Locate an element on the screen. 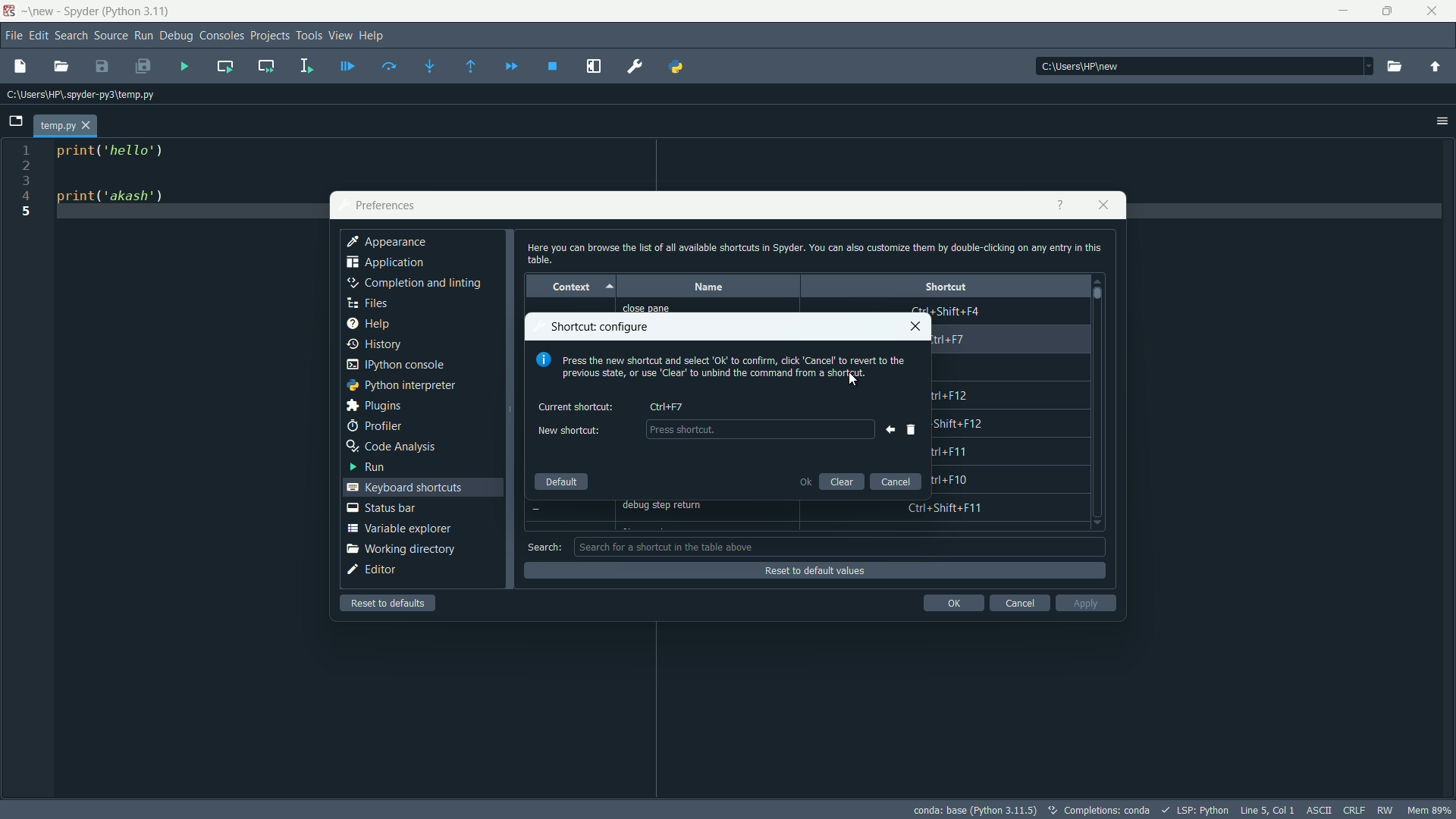  python interpreter is located at coordinates (400, 385).